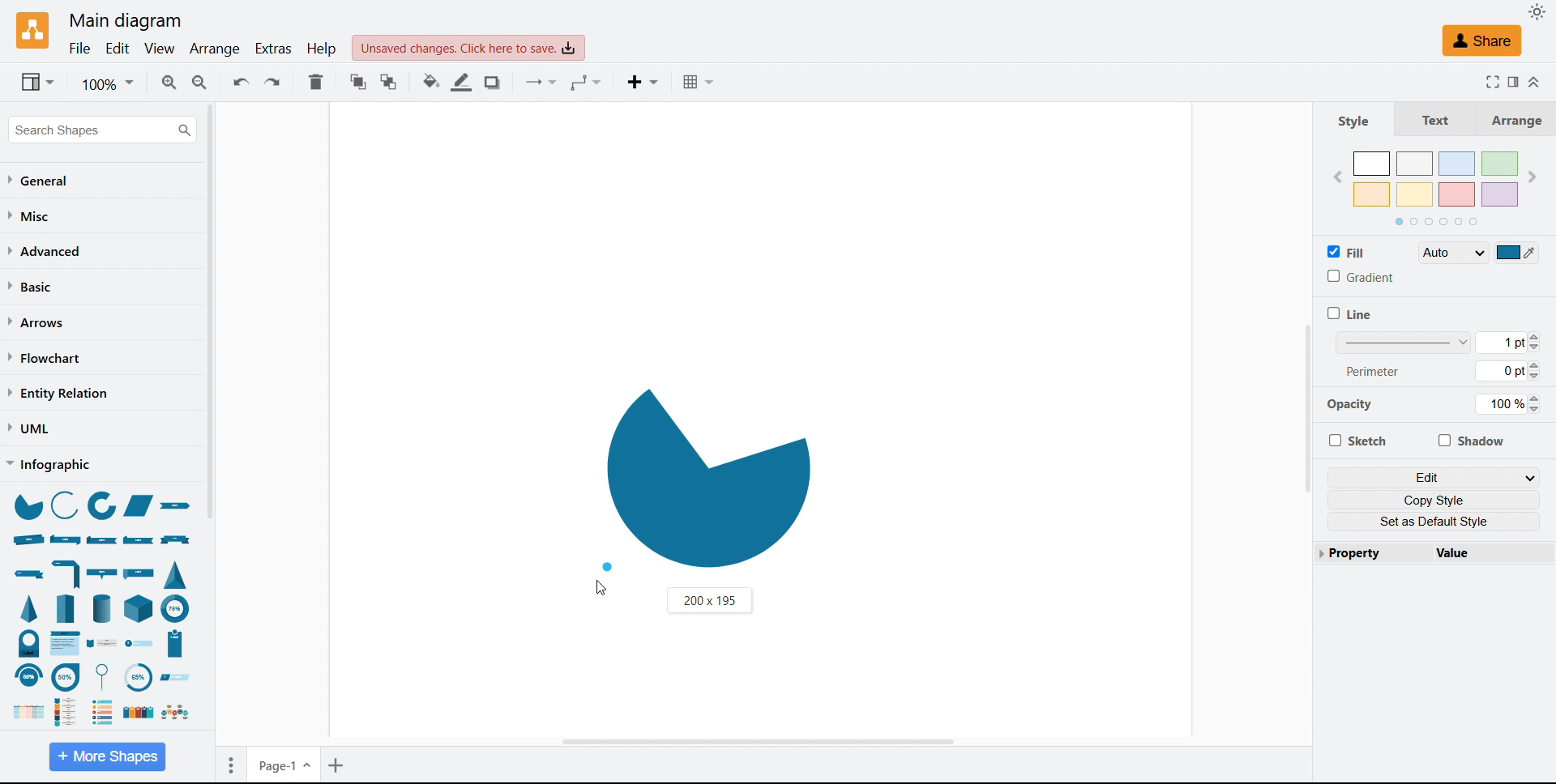 This screenshot has width=1556, height=784. I want to click on Insert , so click(646, 83).